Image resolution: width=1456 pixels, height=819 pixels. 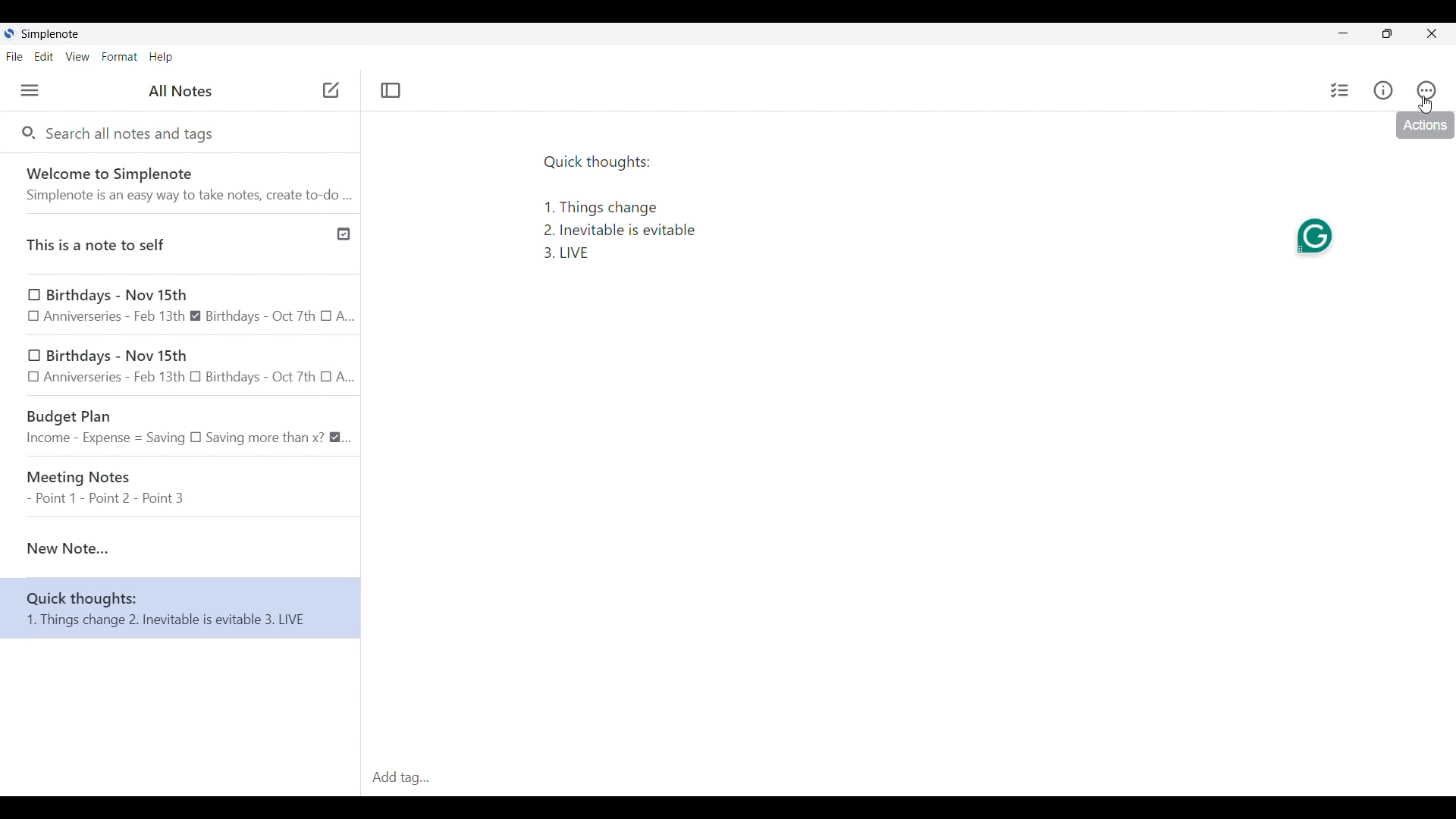 What do you see at coordinates (184, 184) in the screenshot?
I see `Welcome note from software ` at bounding box center [184, 184].